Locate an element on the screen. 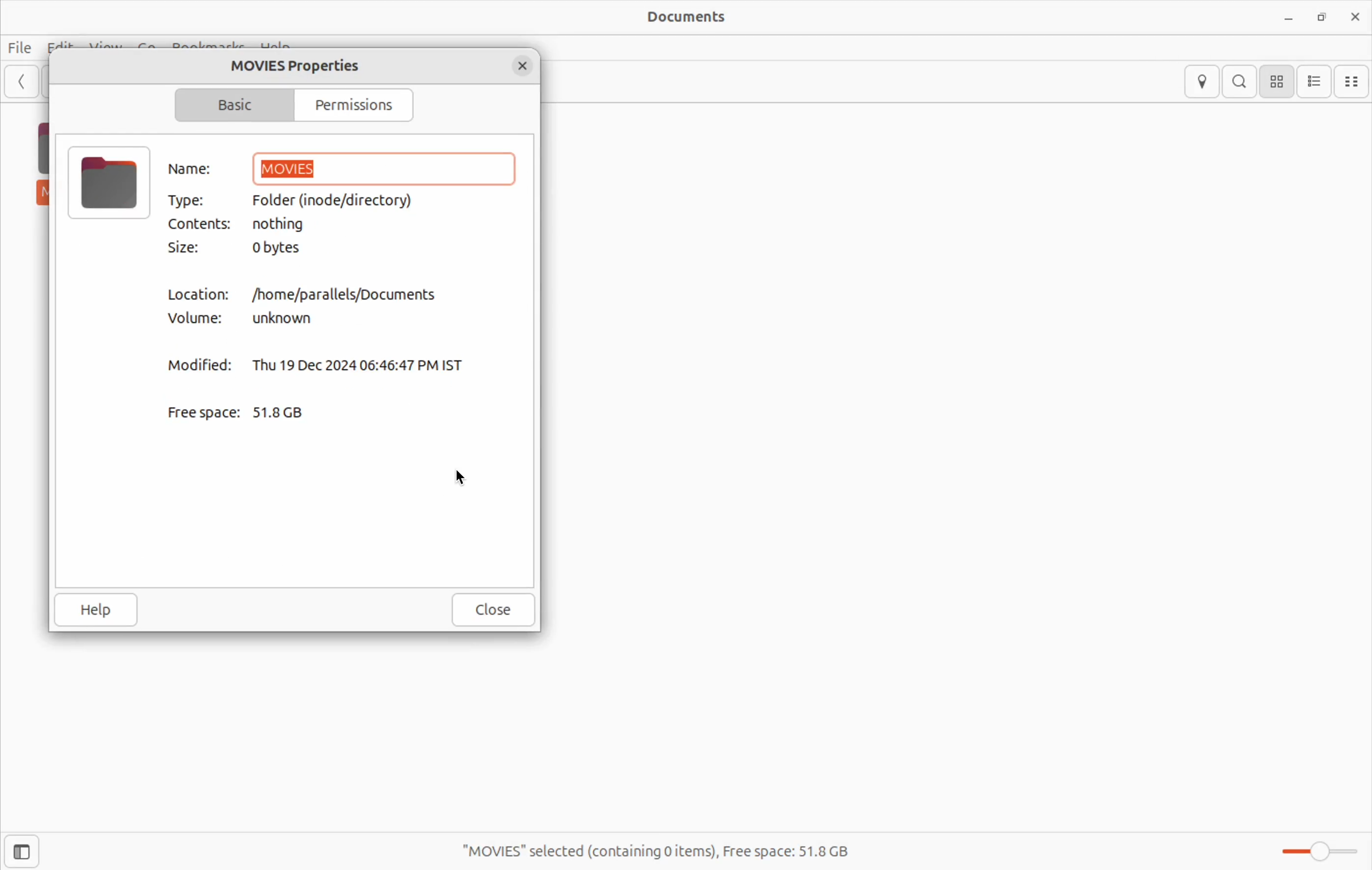  free space is located at coordinates (670, 852).